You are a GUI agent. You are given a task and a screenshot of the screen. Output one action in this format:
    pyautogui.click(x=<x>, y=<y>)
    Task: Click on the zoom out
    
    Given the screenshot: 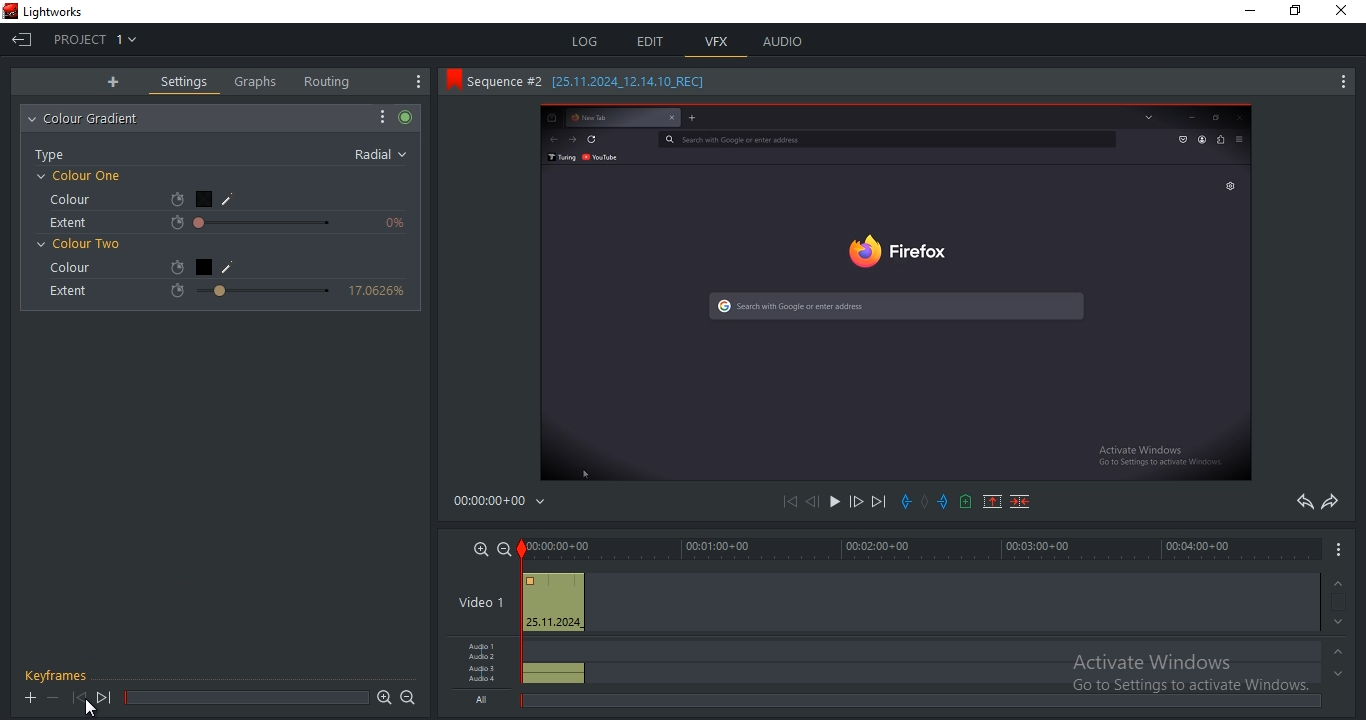 What is the action you would take?
    pyautogui.click(x=384, y=698)
    